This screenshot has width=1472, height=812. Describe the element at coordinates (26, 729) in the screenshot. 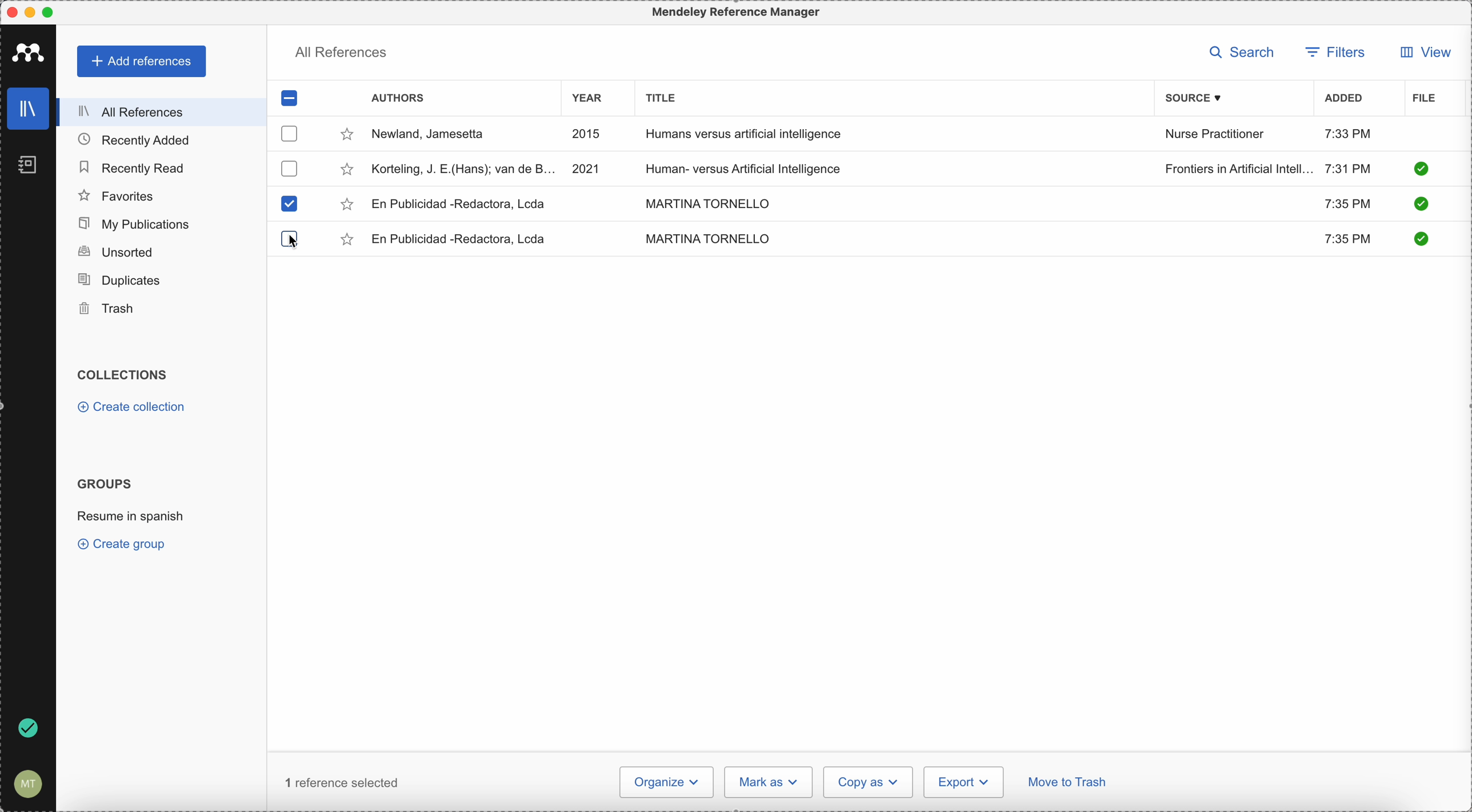

I see `last sync` at that location.